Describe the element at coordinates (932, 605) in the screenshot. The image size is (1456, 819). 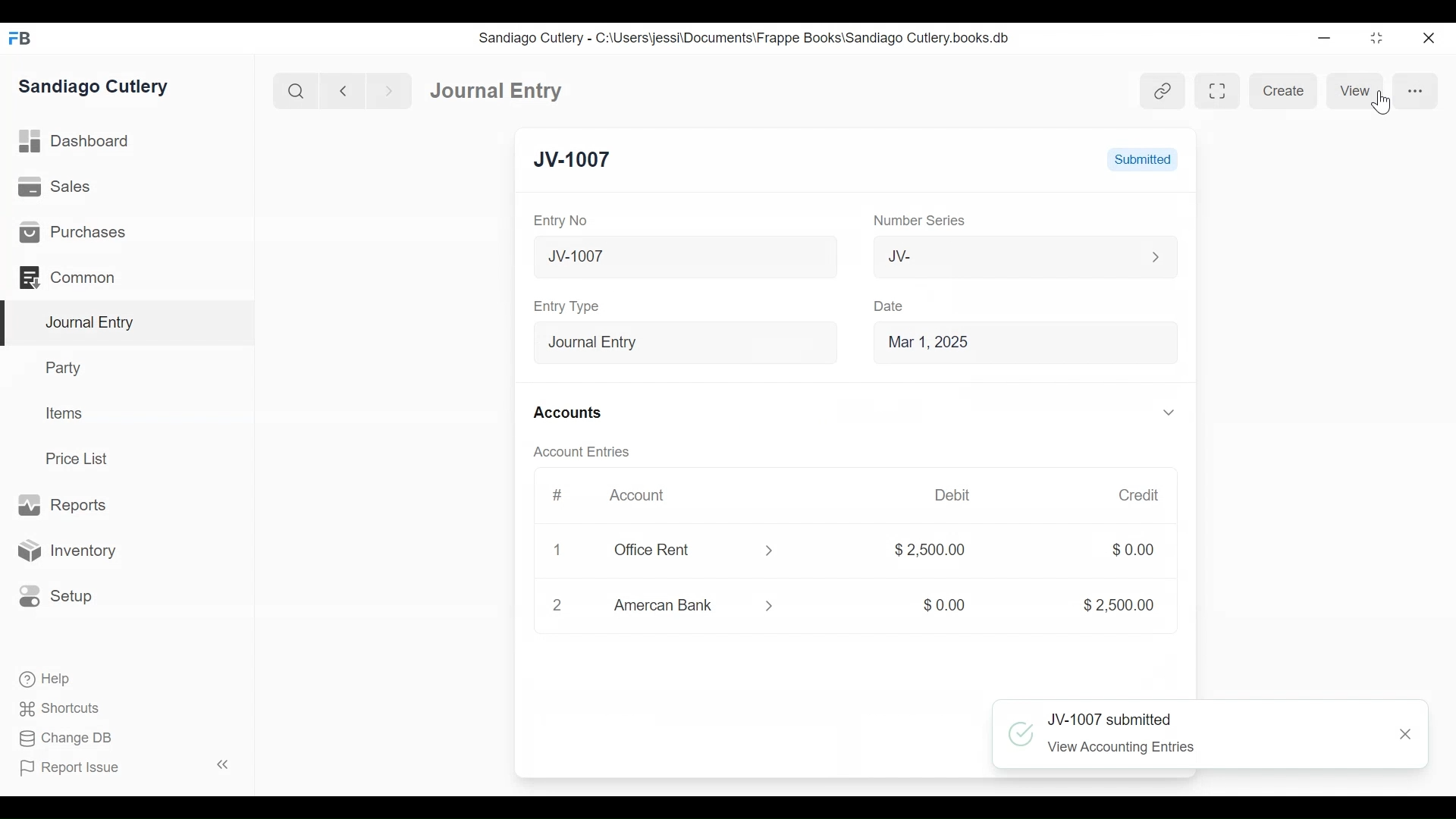
I see `$0.00` at that location.